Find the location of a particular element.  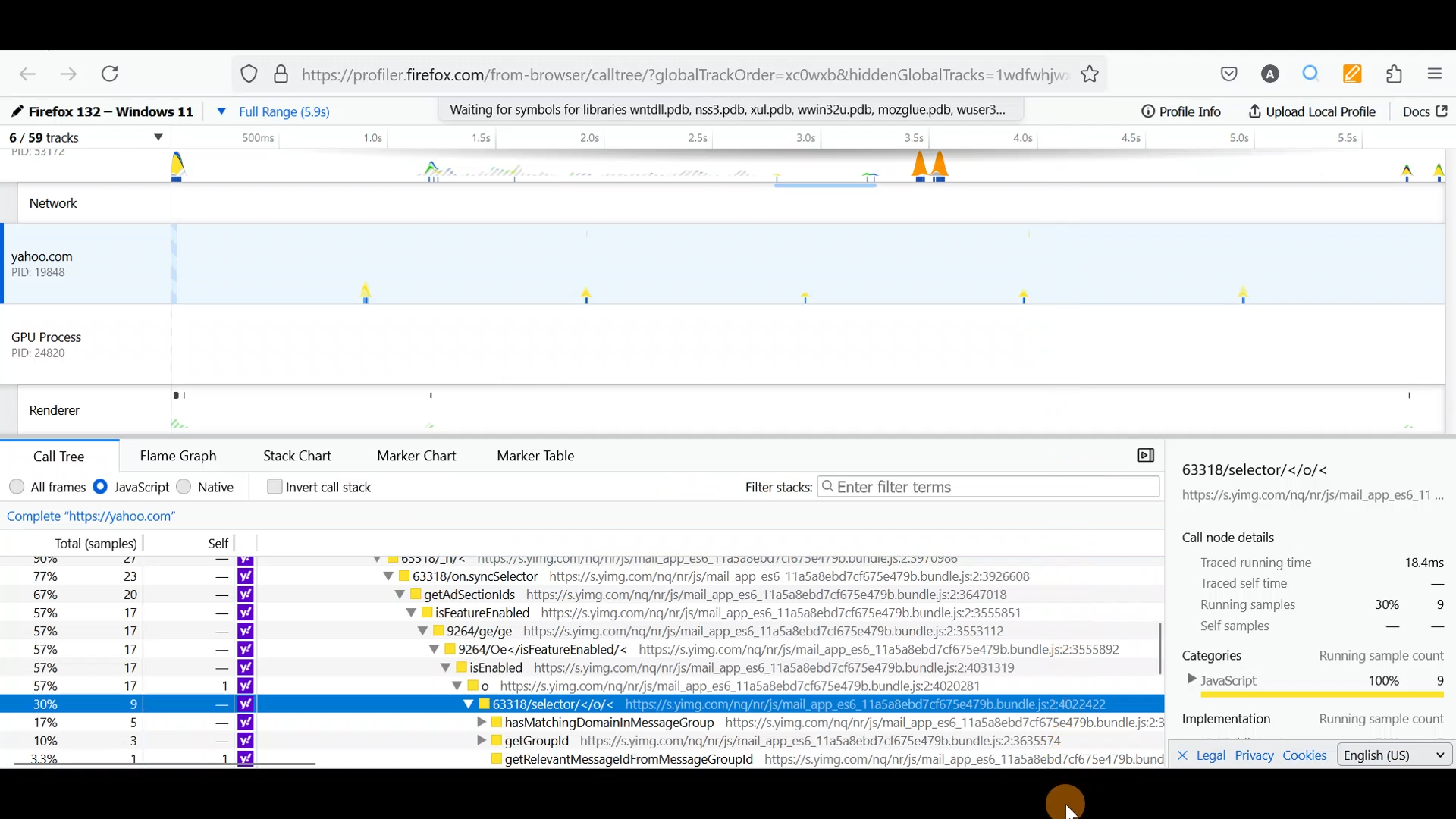

Go back one page is located at coordinates (22, 73).